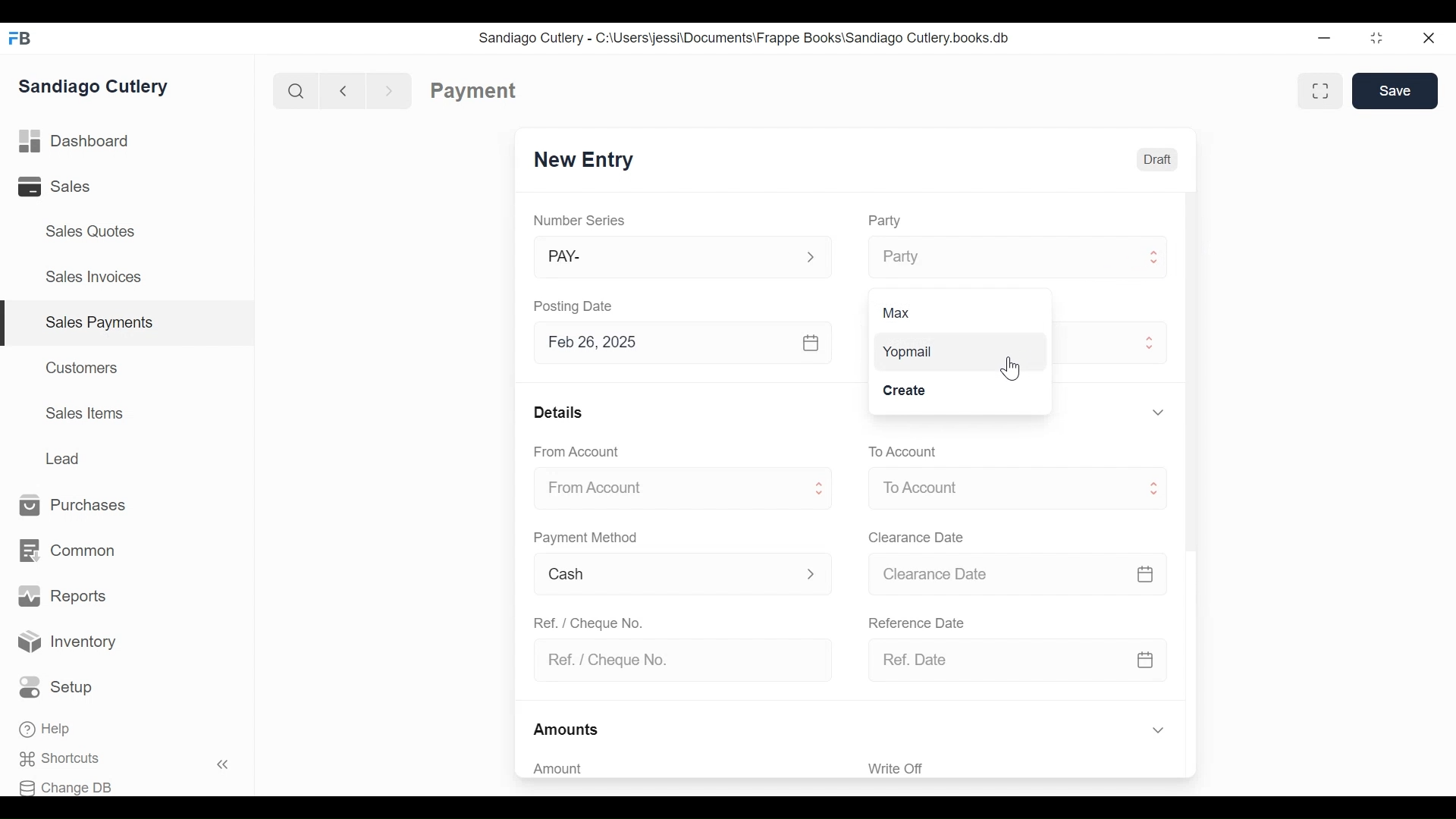 The width and height of the screenshot is (1456, 819). What do you see at coordinates (918, 312) in the screenshot?
I see `Max` at bounding box center [918, 312].